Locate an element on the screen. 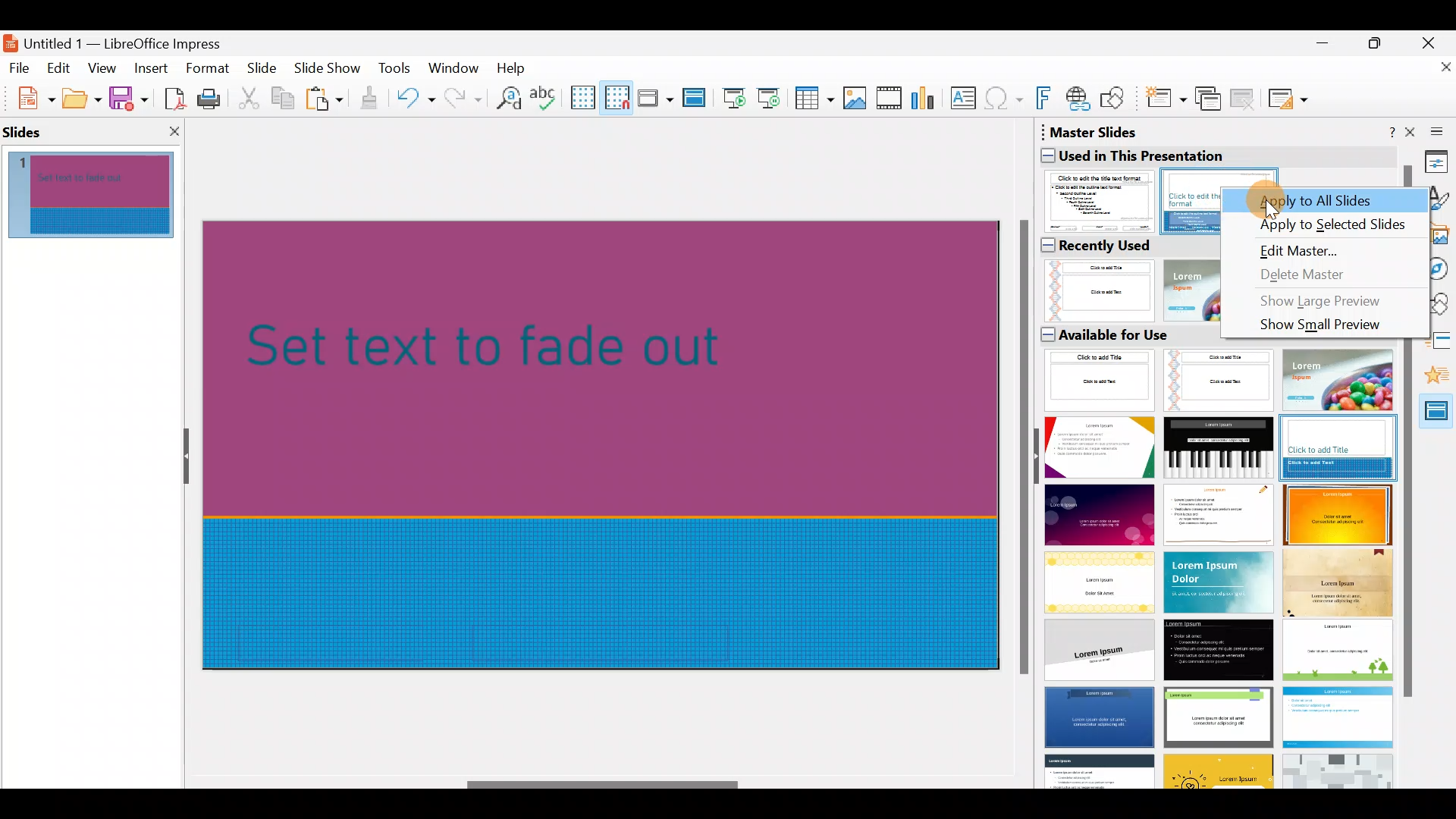 Image resolution: width=1456 pixels, height=819 pixels. File is located at coordinates (20, 67).